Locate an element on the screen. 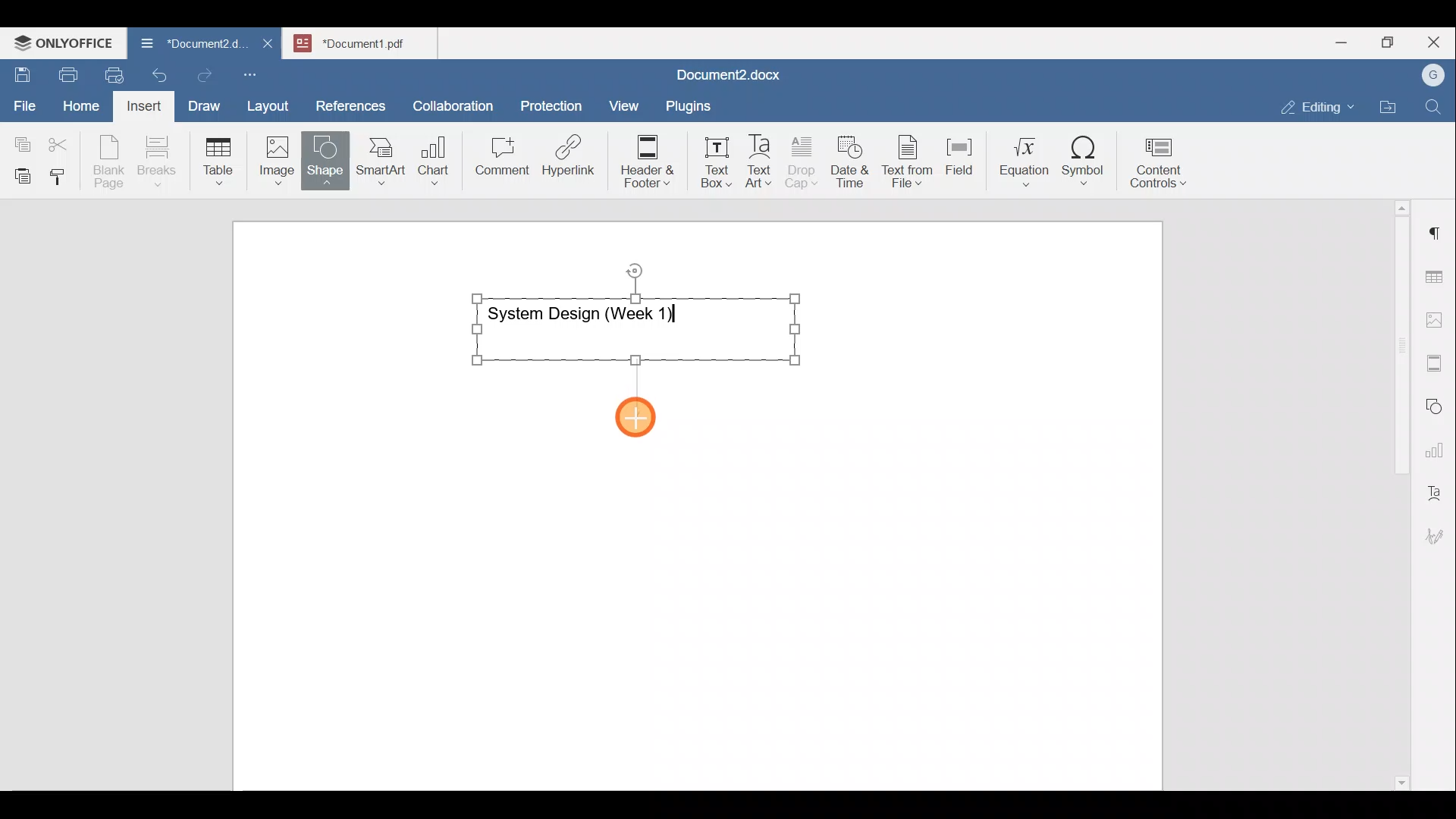  Signature settings is located at coordinates (1439, 531).